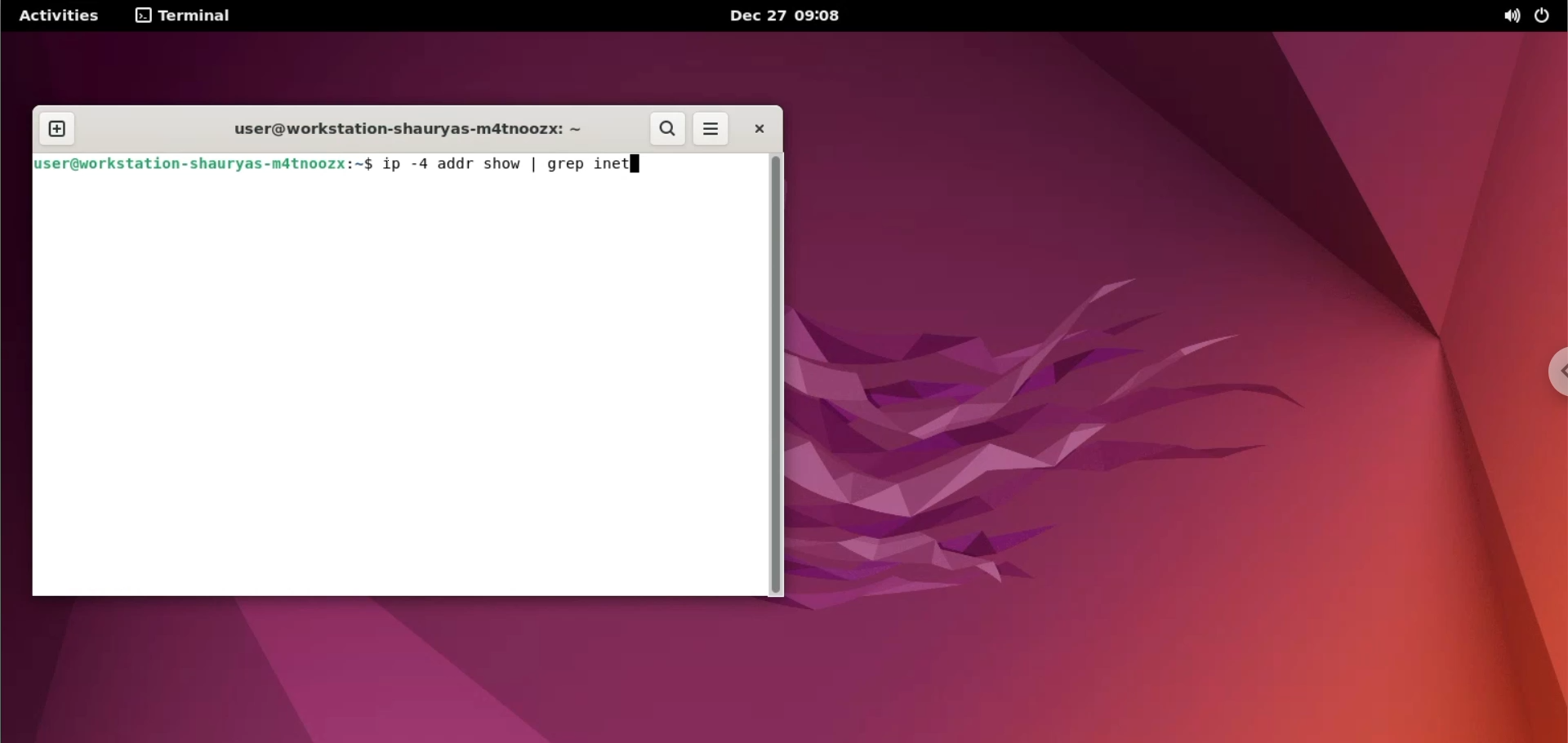 This screenshot has width=1568, height=743. What do you see at coordinates (1553, 376) in the screenshot?
I see `chrome options` at bounding box center [1553, 376].